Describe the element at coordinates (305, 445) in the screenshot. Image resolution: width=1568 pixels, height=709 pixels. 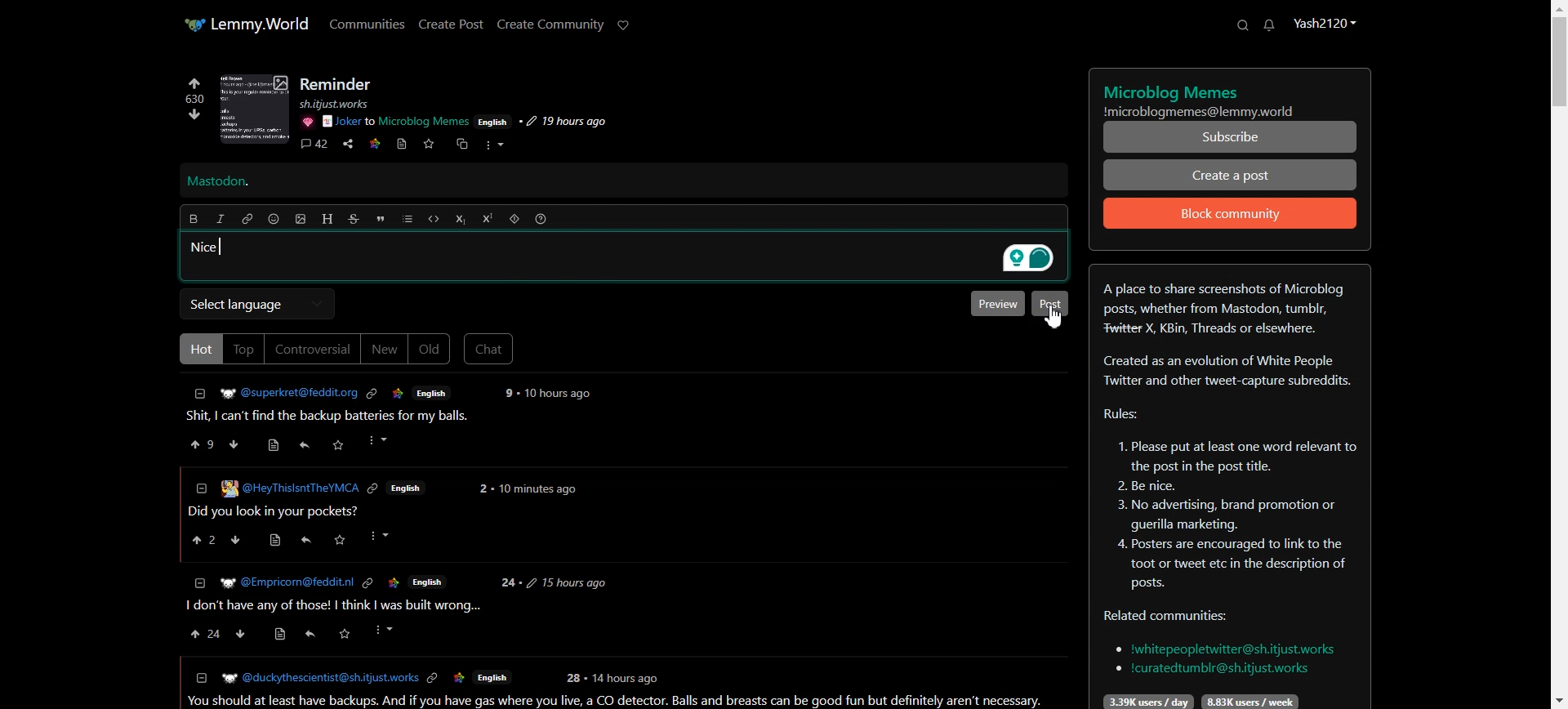
I see `Reply` at that location.